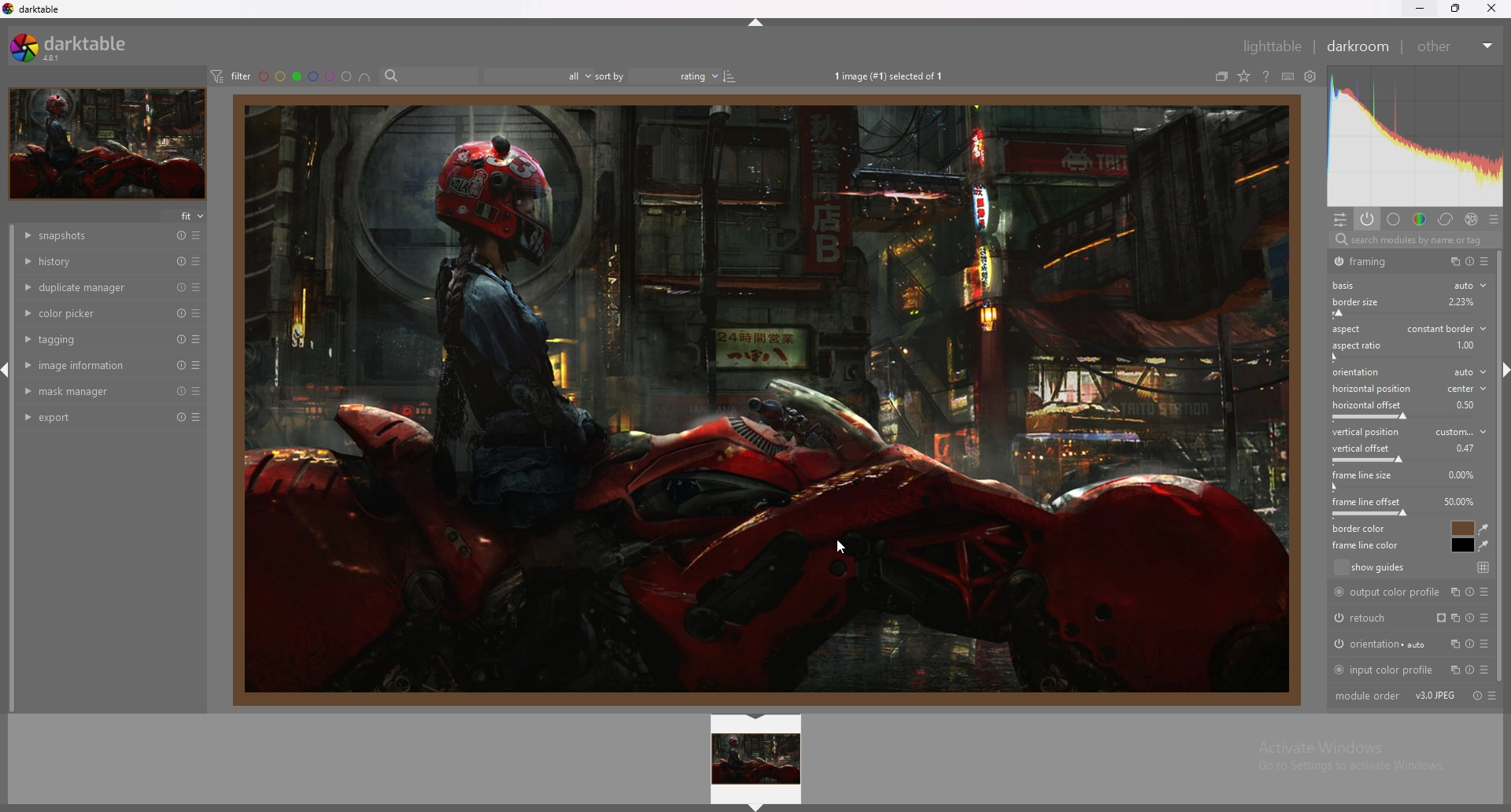 Image resolution: width=1511 pixels, height=812 pixels. What do you see at coordinates (186, 216) in the screenshot?
I see `fit` at bounding box center [186, 216].